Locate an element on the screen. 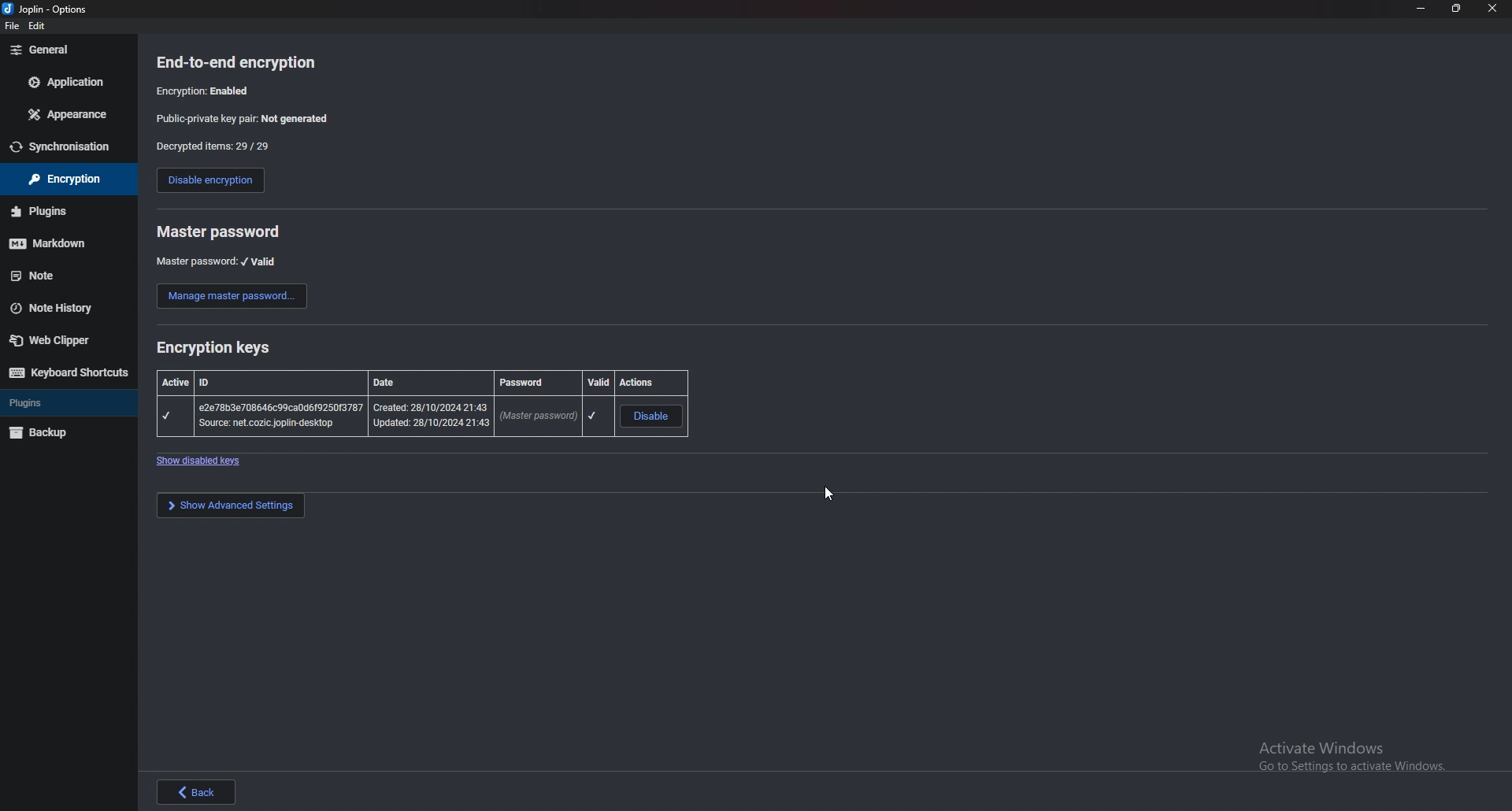 The image size is (1512, 811). encryption disabled is located at coordinates (209, 91).